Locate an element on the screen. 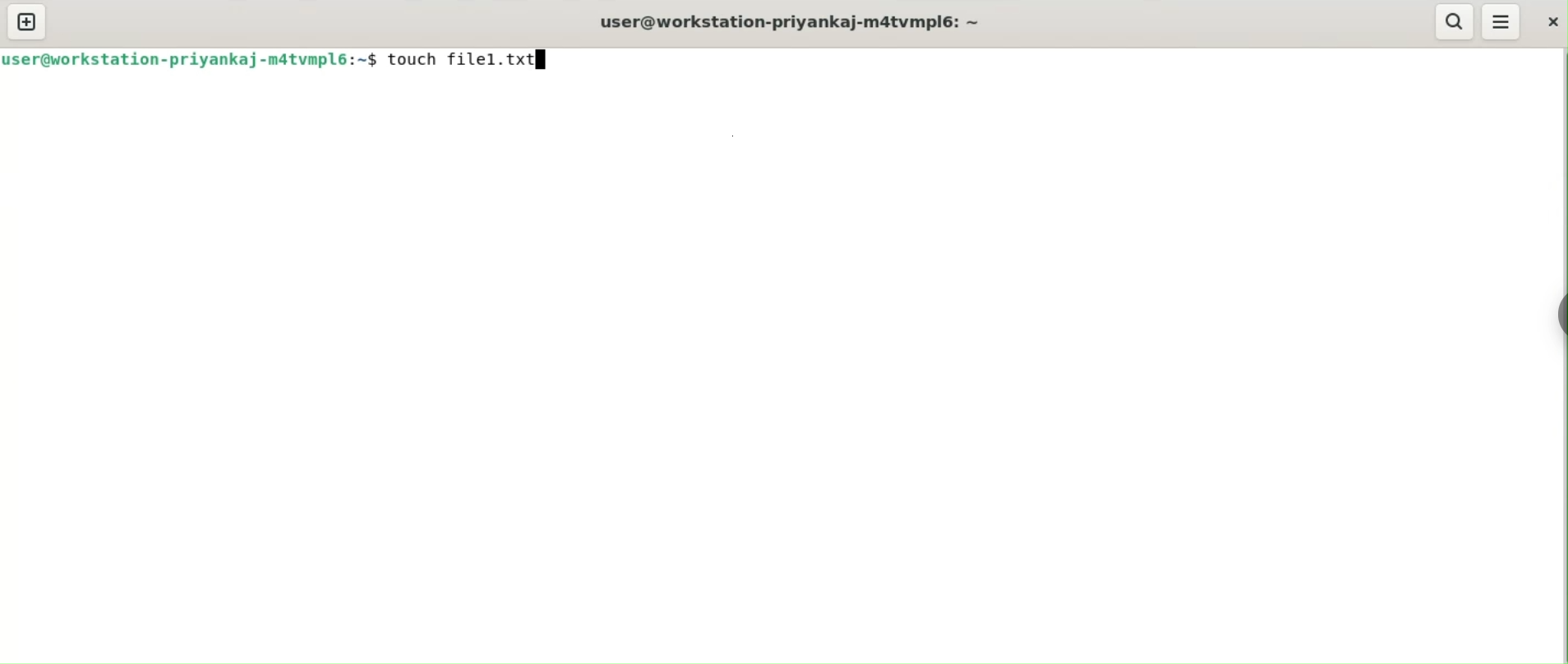 The height and width of the screenshot is (664, 1568). search is located at coordinates (1456, 22).